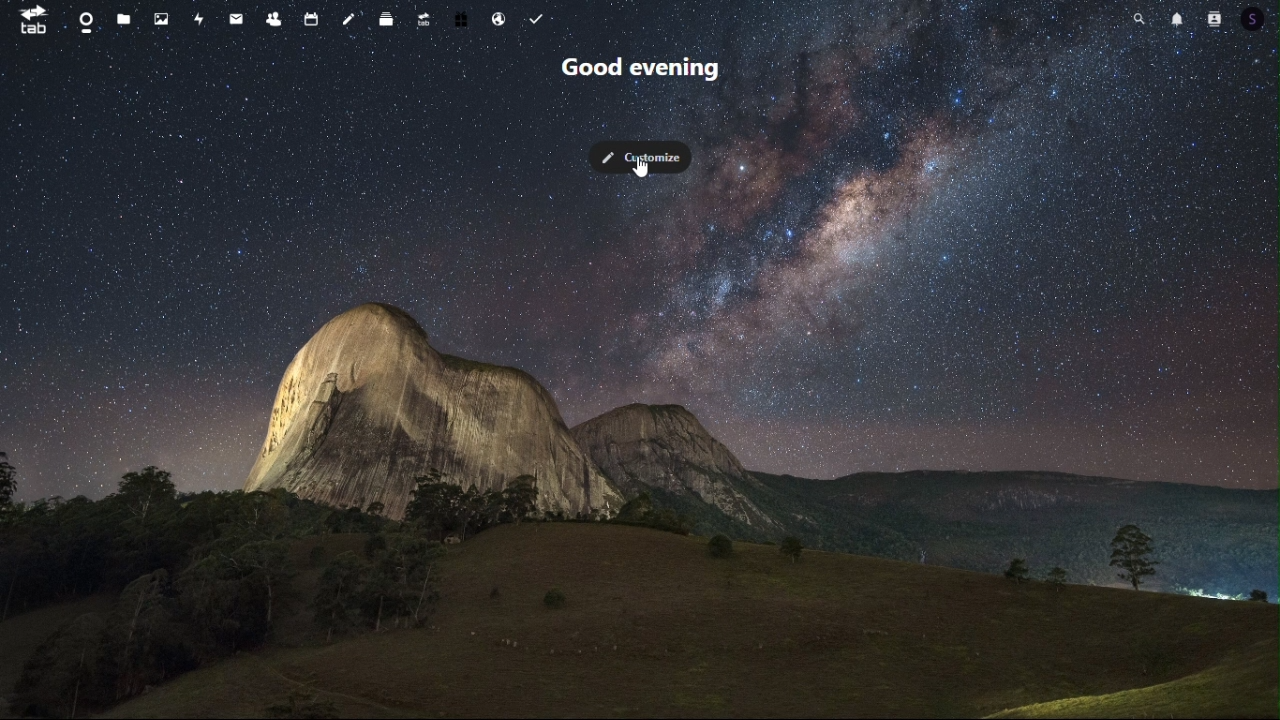 Image resolution: width=1280 pixels, height=720 pixels. Describe the element at coordinates (86, 18) in the screenshot. I see `dashboard` at that location.